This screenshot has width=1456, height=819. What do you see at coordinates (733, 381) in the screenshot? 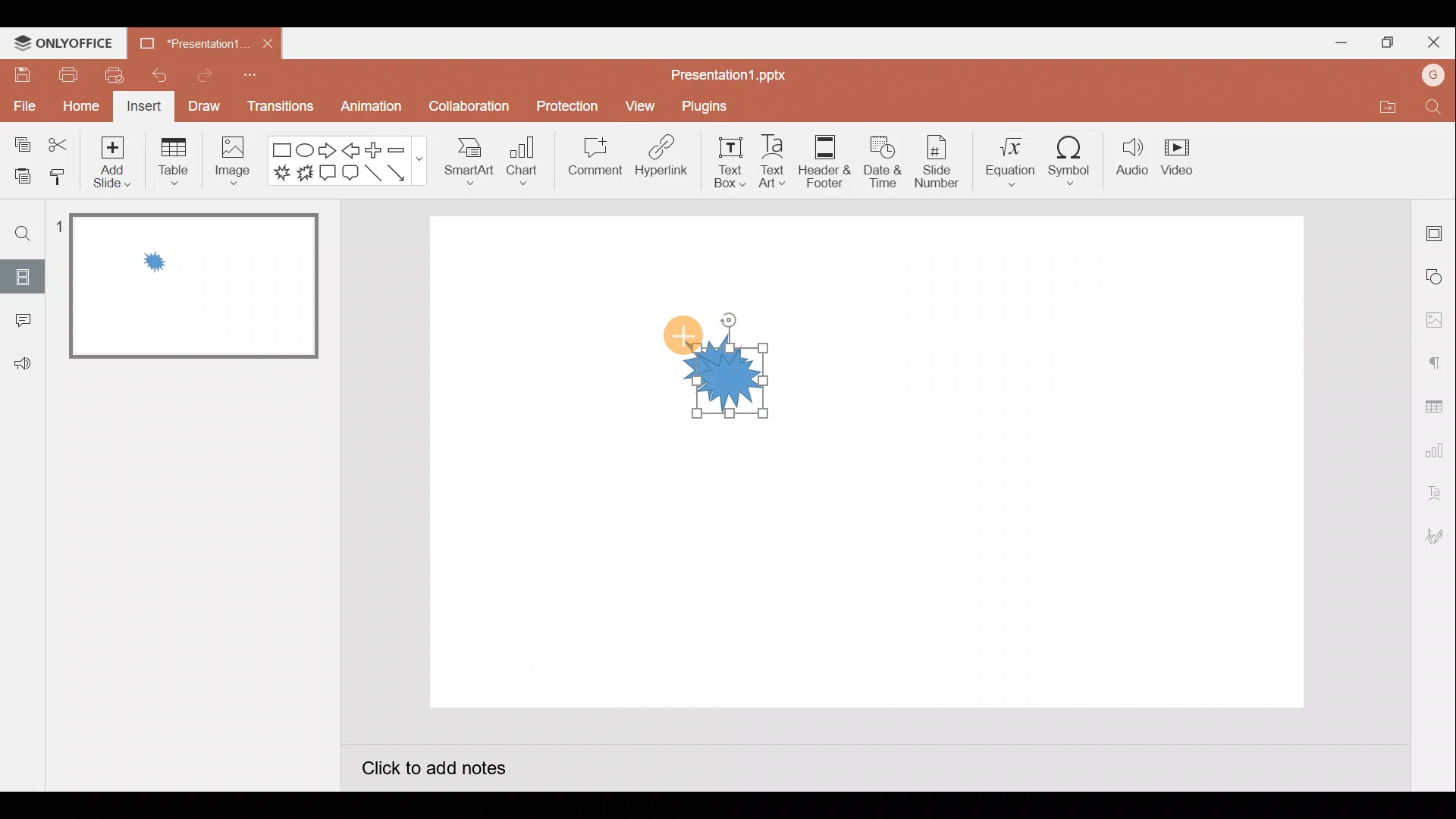
I see `shape` at bounding box center [733, 381].